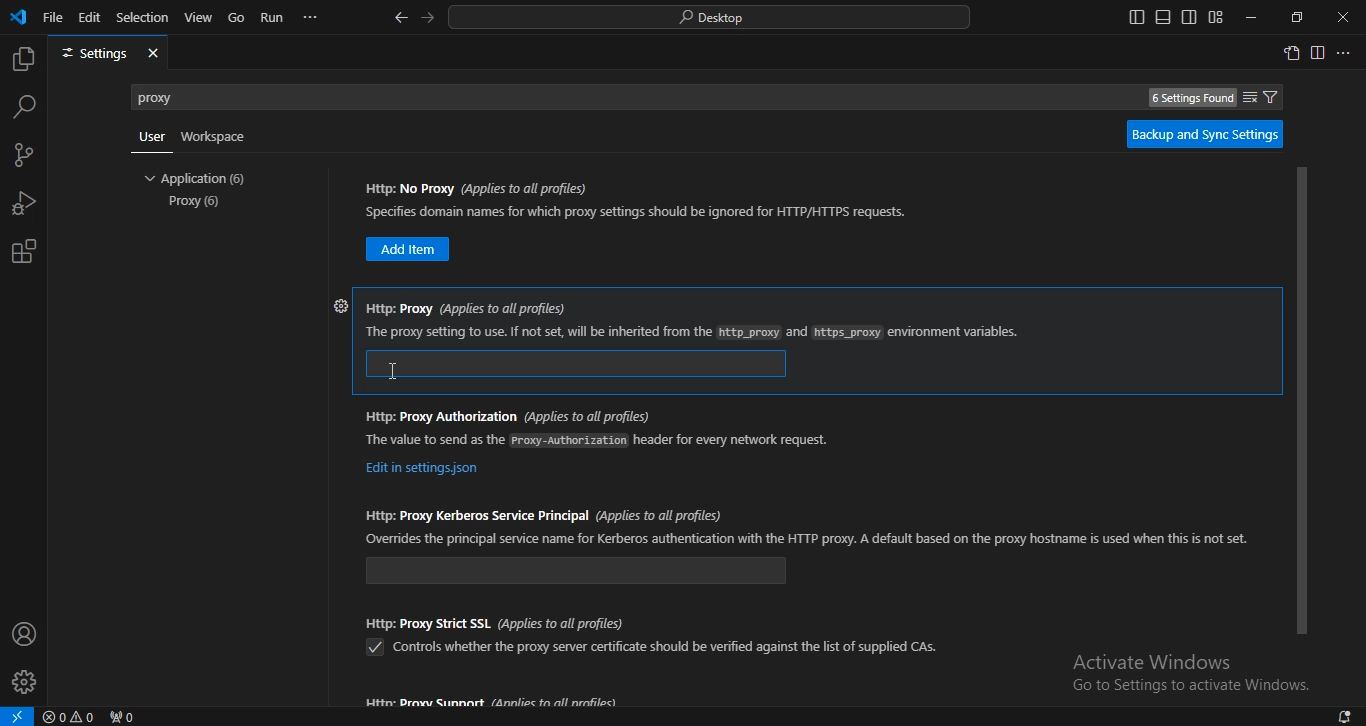 This screenshot has width=1366, height=726. Describe the element at coordinates (808, 539) in the screenshot. I see `https: proxy kerberos service principal` at that location.